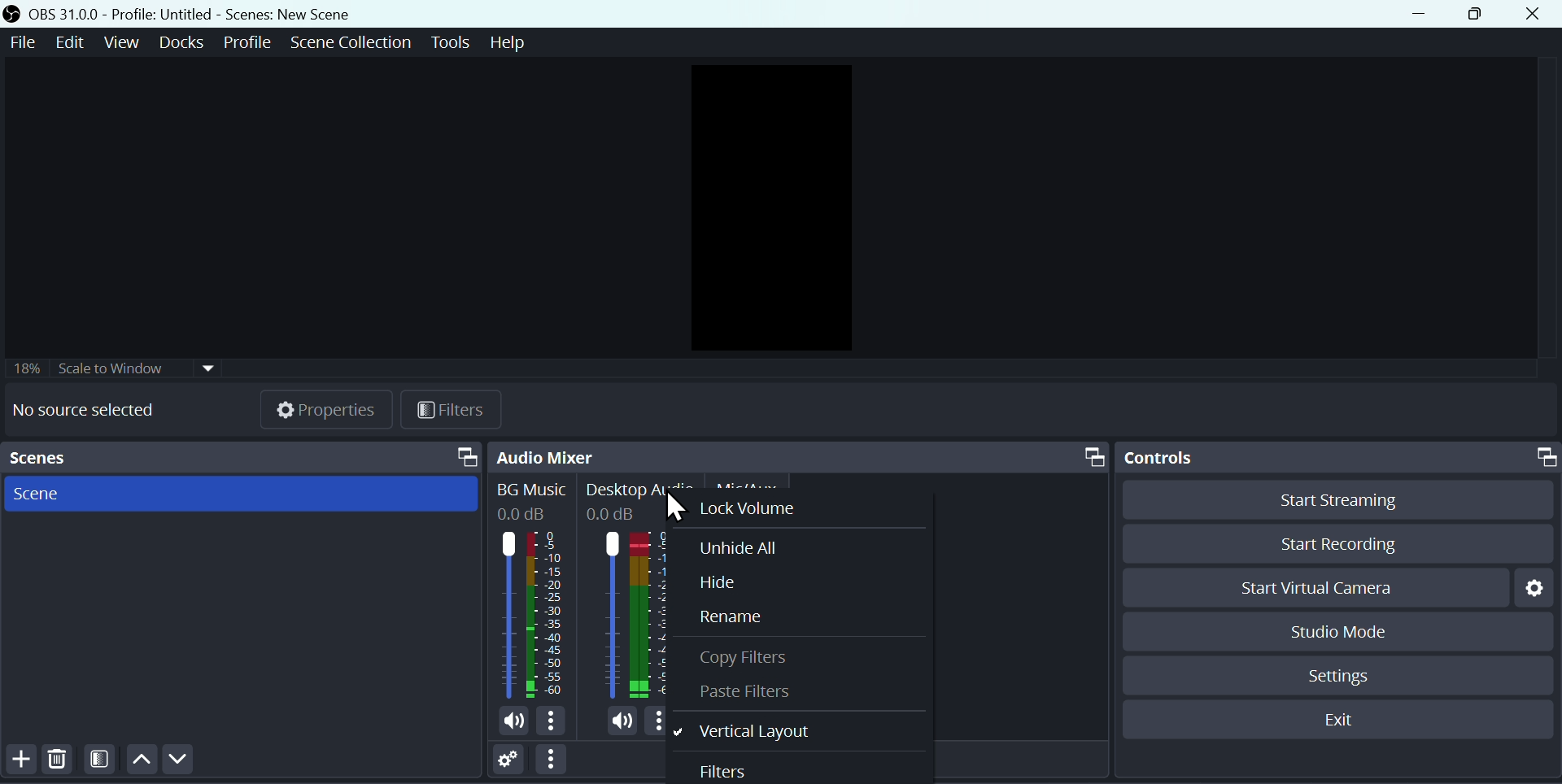 This screenshot has height=784, width=1562. Describe the element at coordinates (1340, 675) in the screenshot. I see `Settings` at that location.